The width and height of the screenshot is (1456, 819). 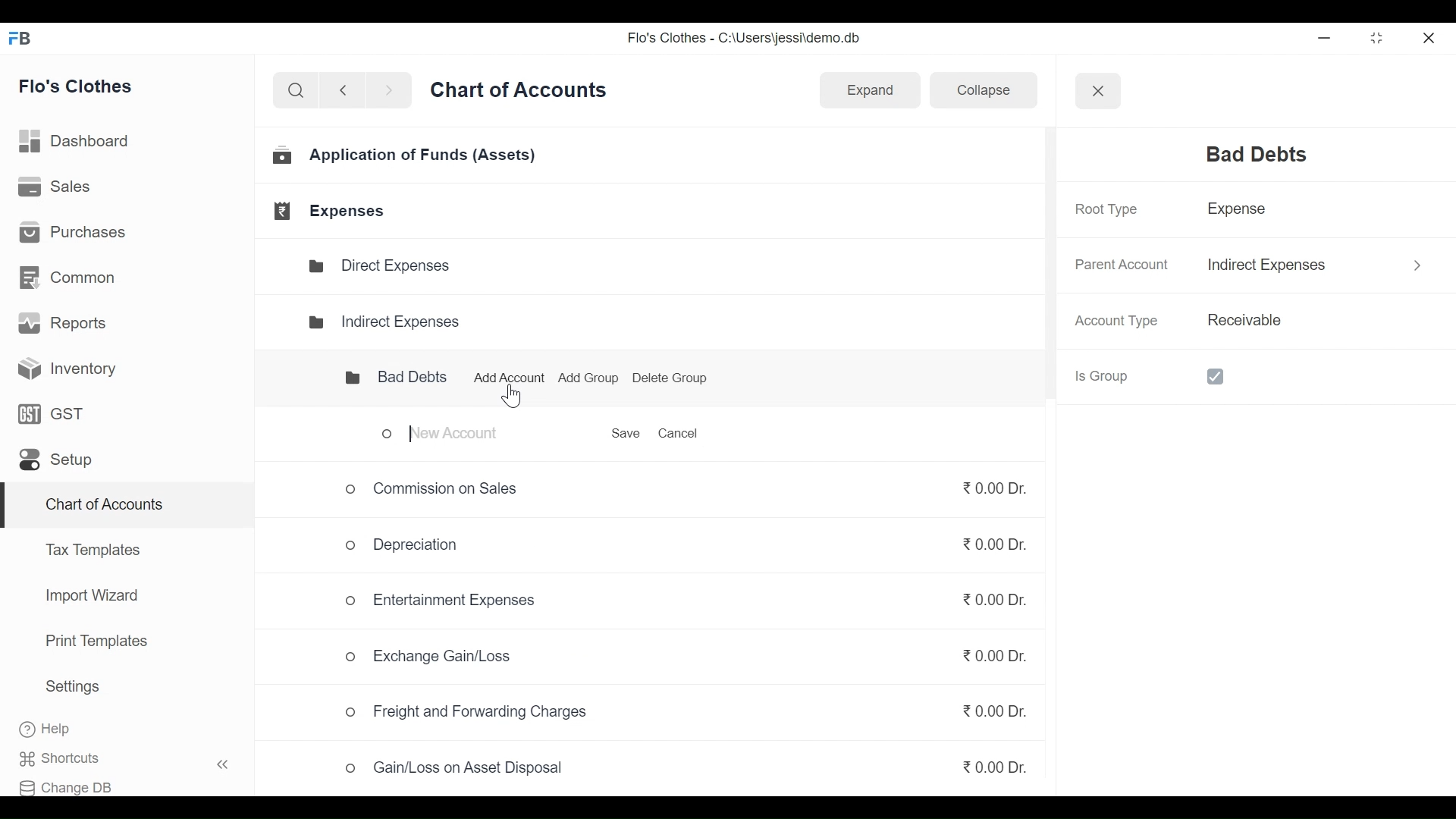 What do you see at coordinates (391, 93) in the screenshot?
I see `next` at bounding box center [391, 93].